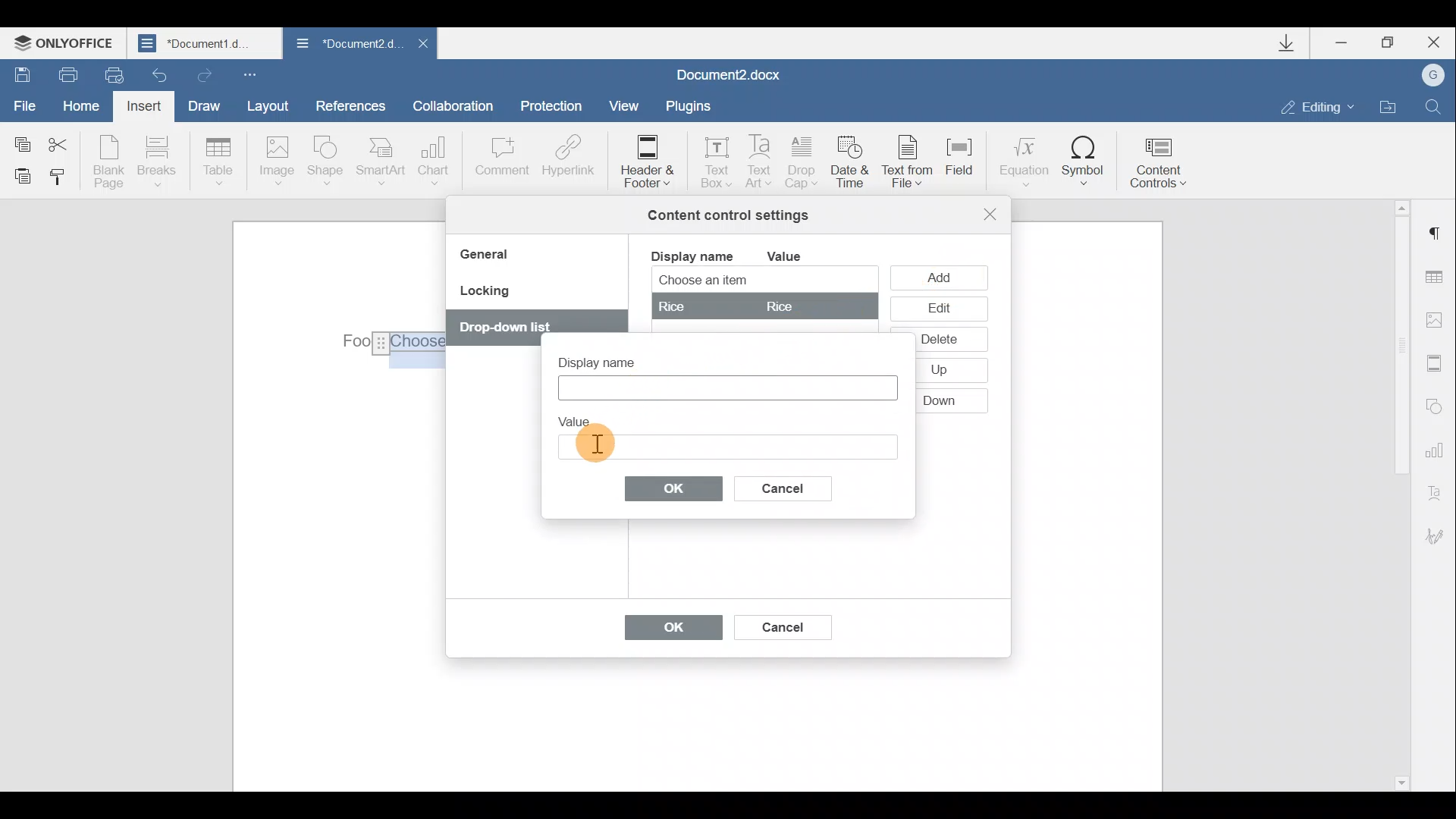  I want to click on Find, so click(1434, 106).